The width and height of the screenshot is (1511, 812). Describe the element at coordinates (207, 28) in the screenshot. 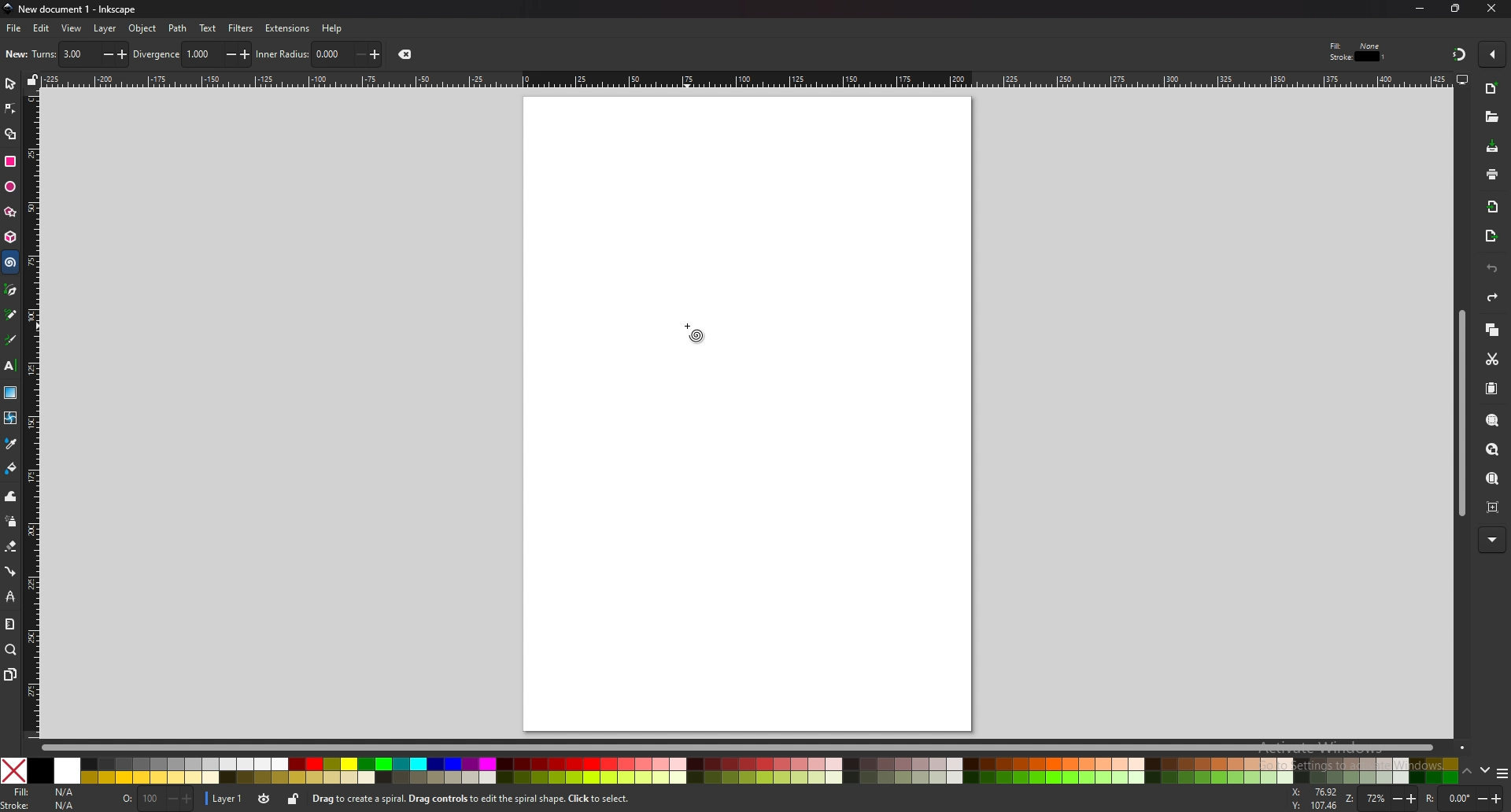

I see `text` at that location.